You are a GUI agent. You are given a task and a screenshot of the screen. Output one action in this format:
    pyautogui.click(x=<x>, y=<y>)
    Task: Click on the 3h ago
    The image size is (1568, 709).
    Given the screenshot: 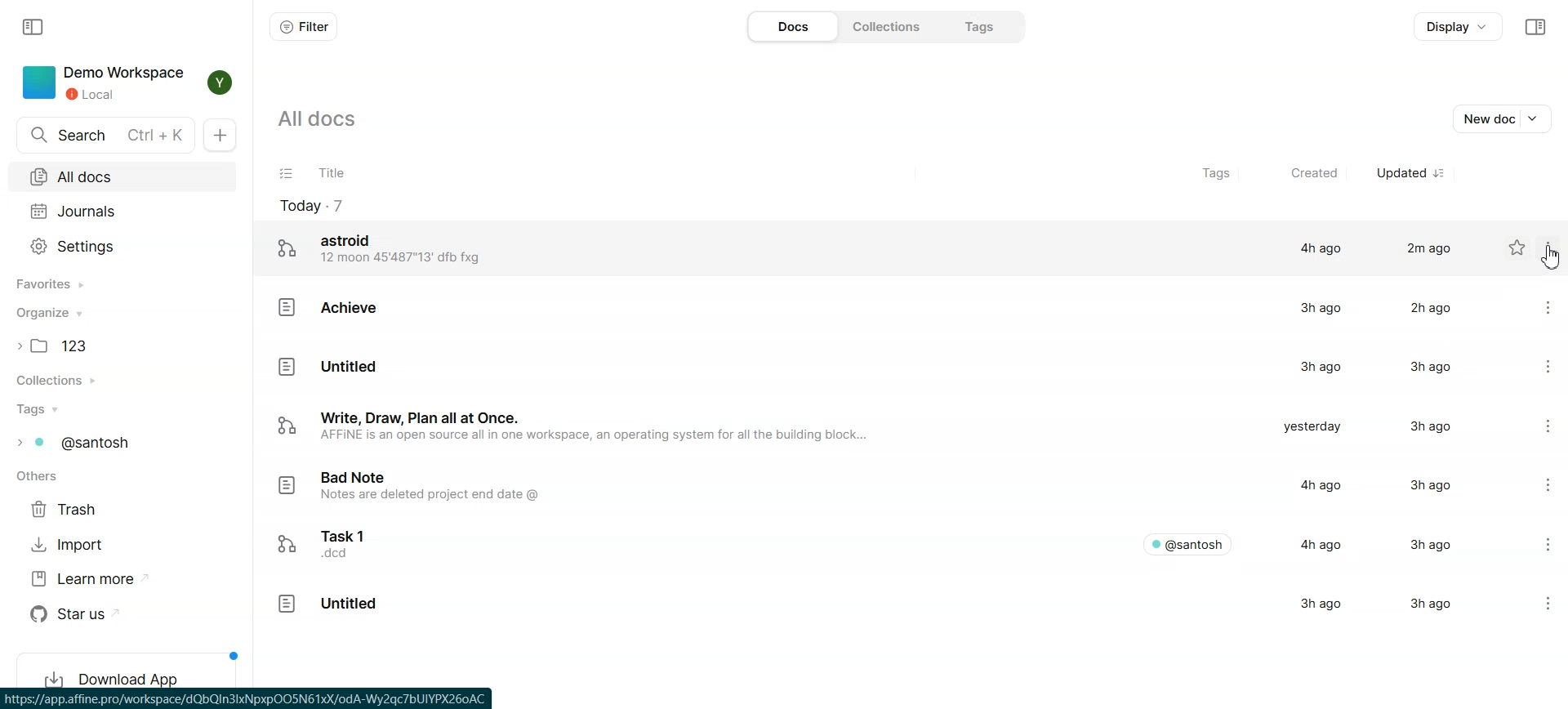 What is the action you would take?
    pyautogui.click(x=1320, y=307)
    